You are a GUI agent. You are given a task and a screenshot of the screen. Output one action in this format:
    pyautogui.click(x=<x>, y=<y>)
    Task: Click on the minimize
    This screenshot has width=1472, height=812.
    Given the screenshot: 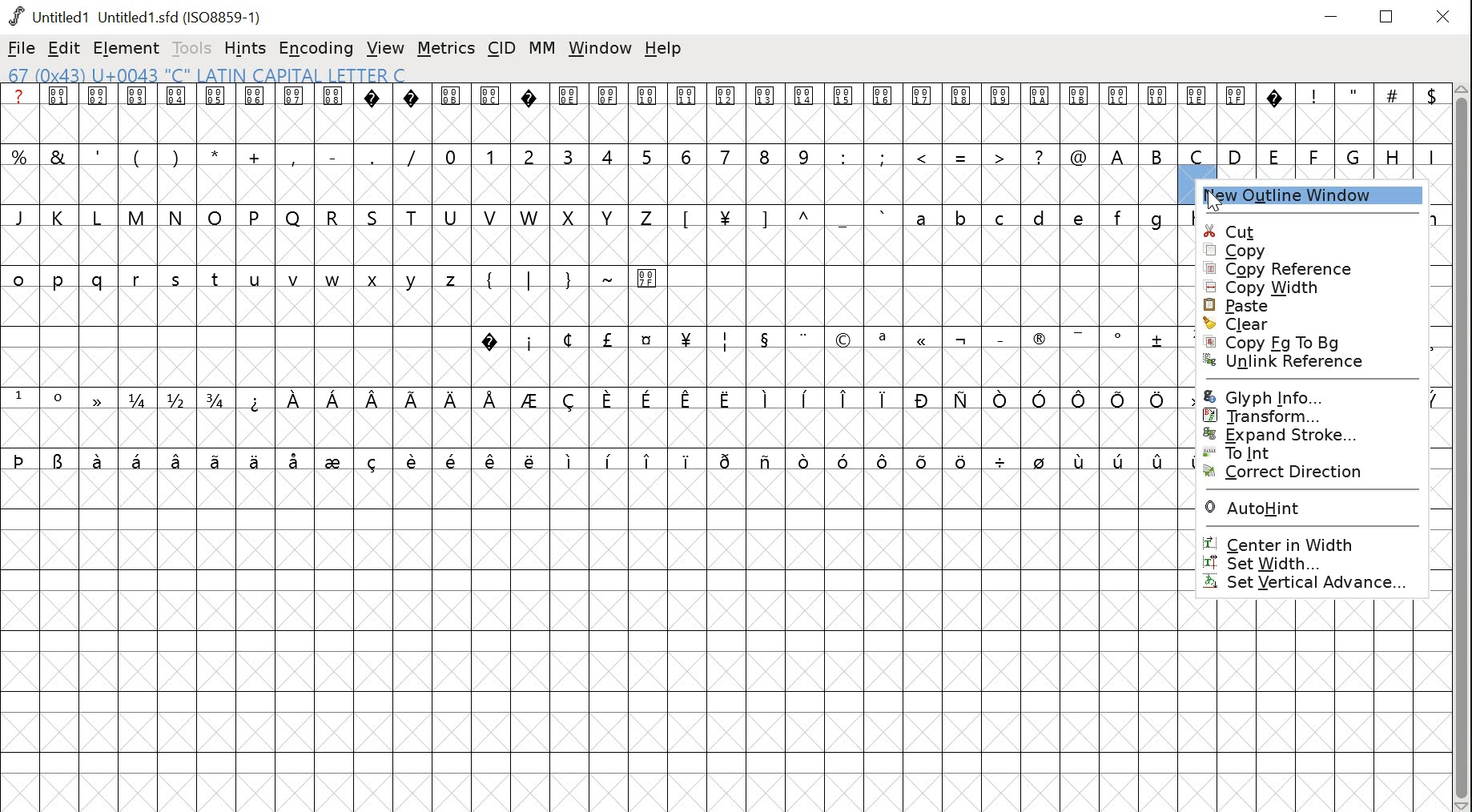 What is the action you would take?
    pyautogui.click(x=1333, y=14)
    